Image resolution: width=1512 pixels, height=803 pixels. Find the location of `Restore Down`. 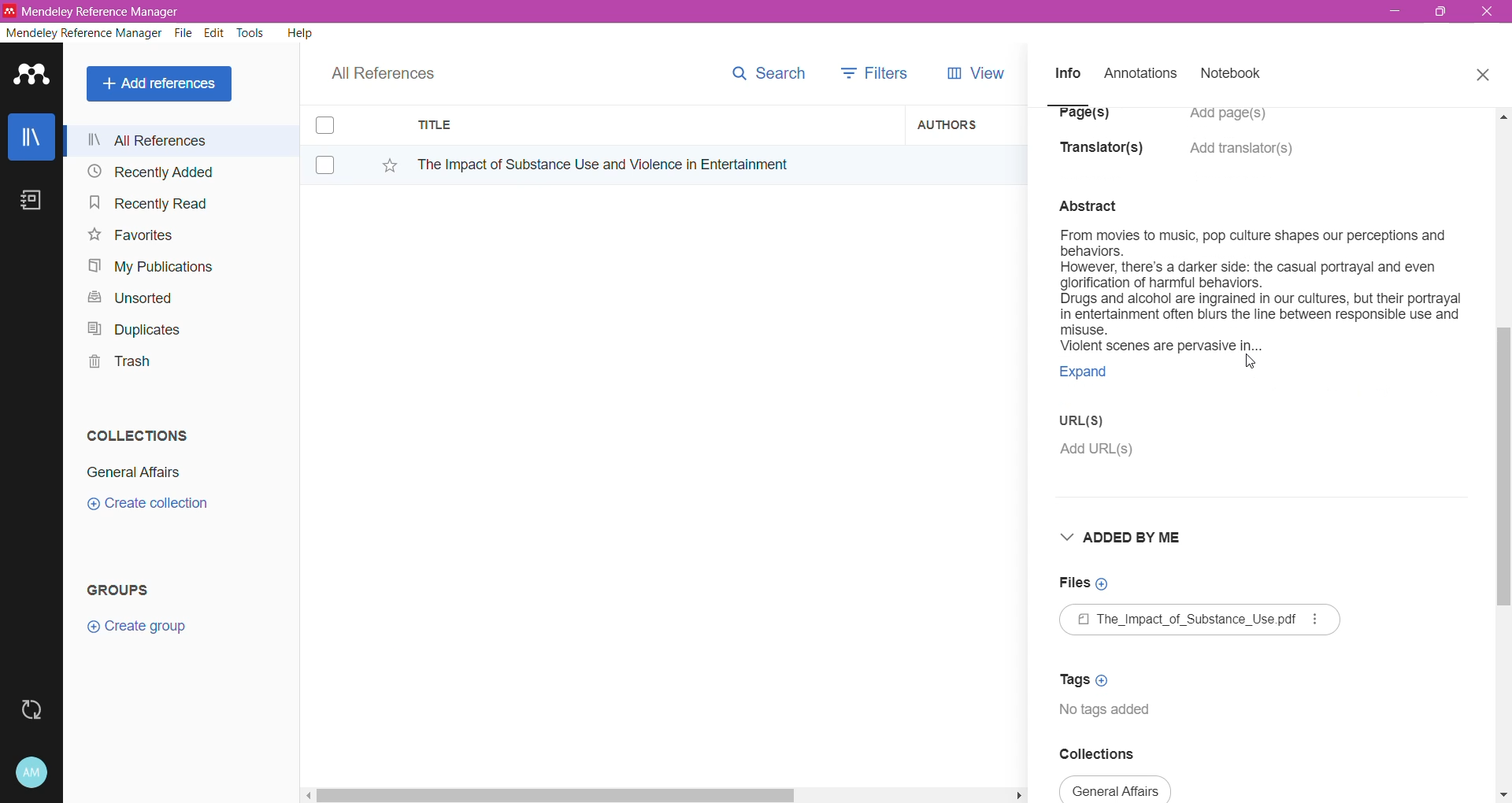

Restore Down is located at coordinates (1442, 13).